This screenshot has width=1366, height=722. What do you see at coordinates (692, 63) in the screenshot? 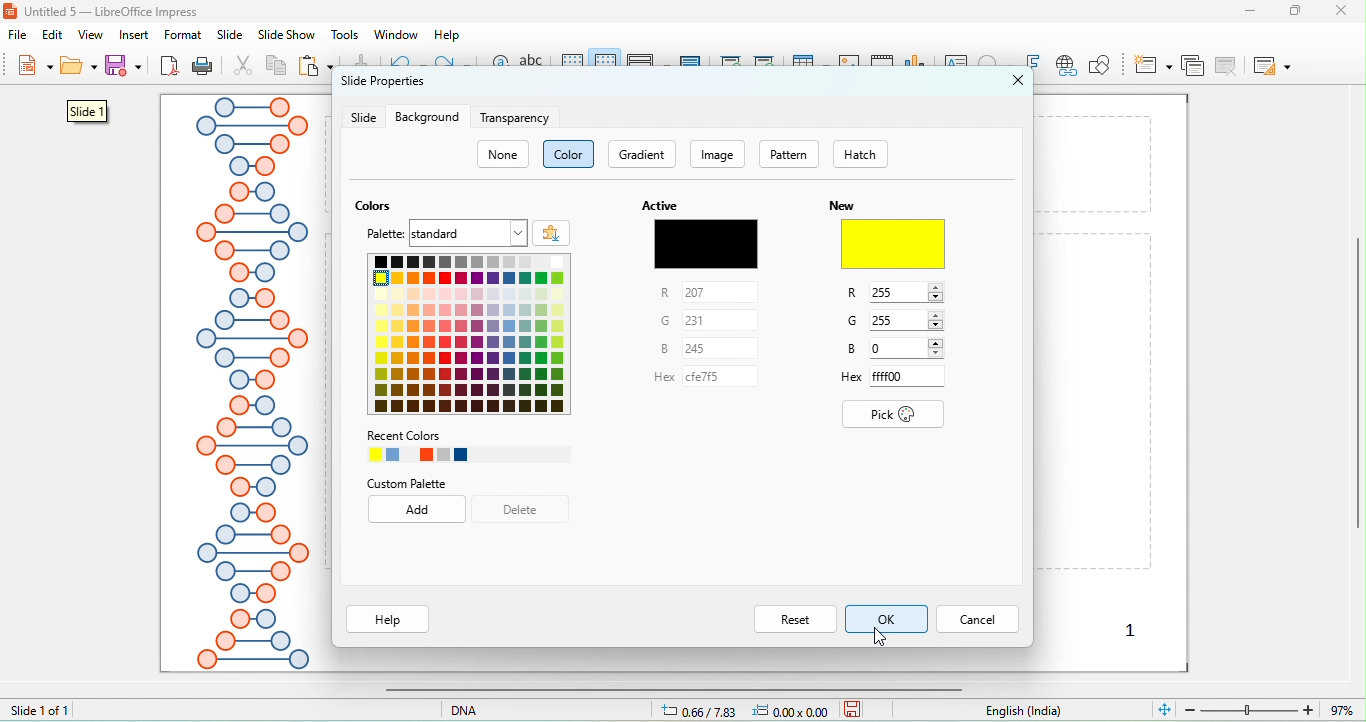
I see `master slide` at bounding box center [692, 63].